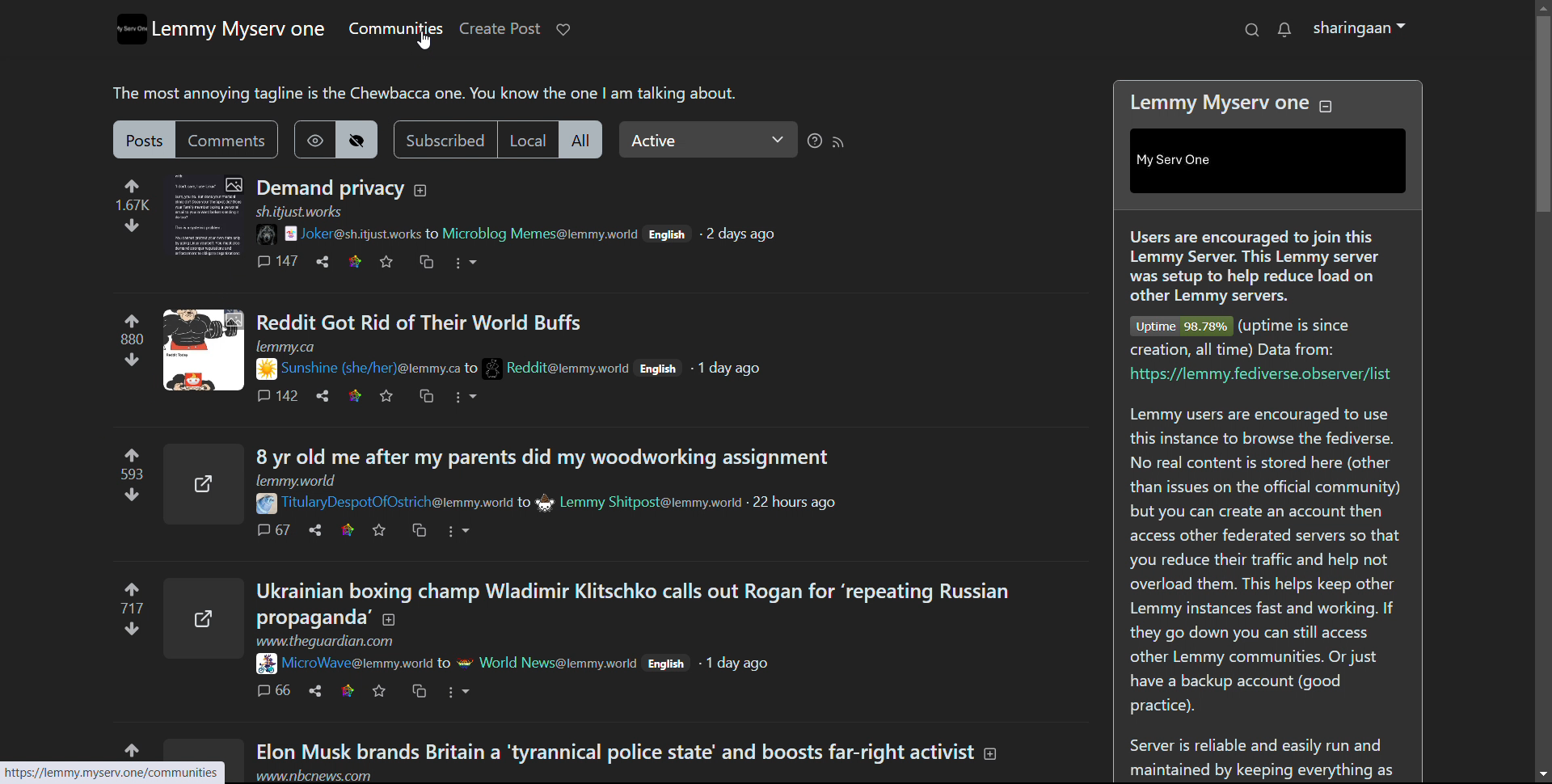 This screenshot has height=784, width=1552. I want to click on English, so click(668, 667).